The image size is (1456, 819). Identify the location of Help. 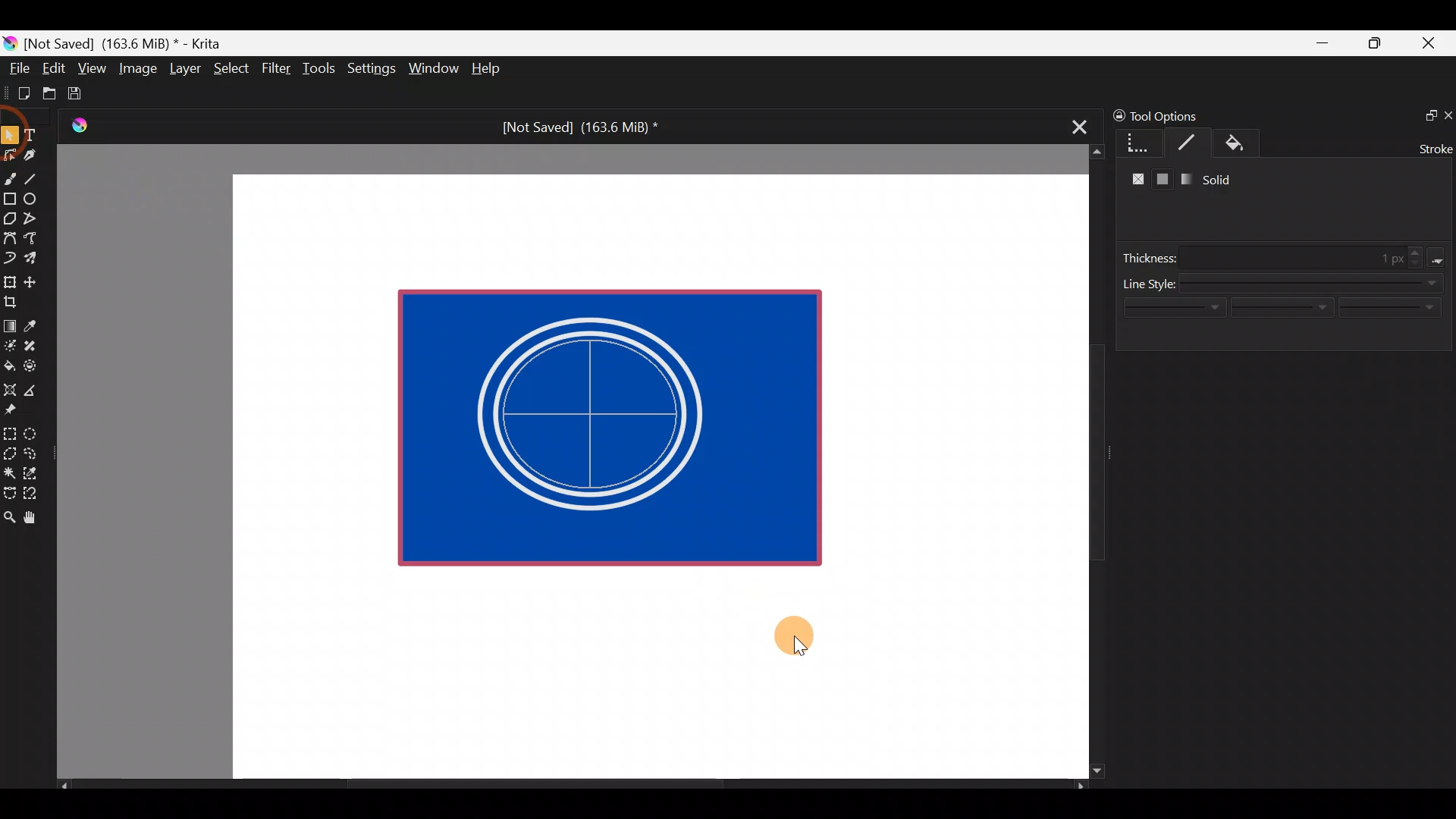
(488, 70).